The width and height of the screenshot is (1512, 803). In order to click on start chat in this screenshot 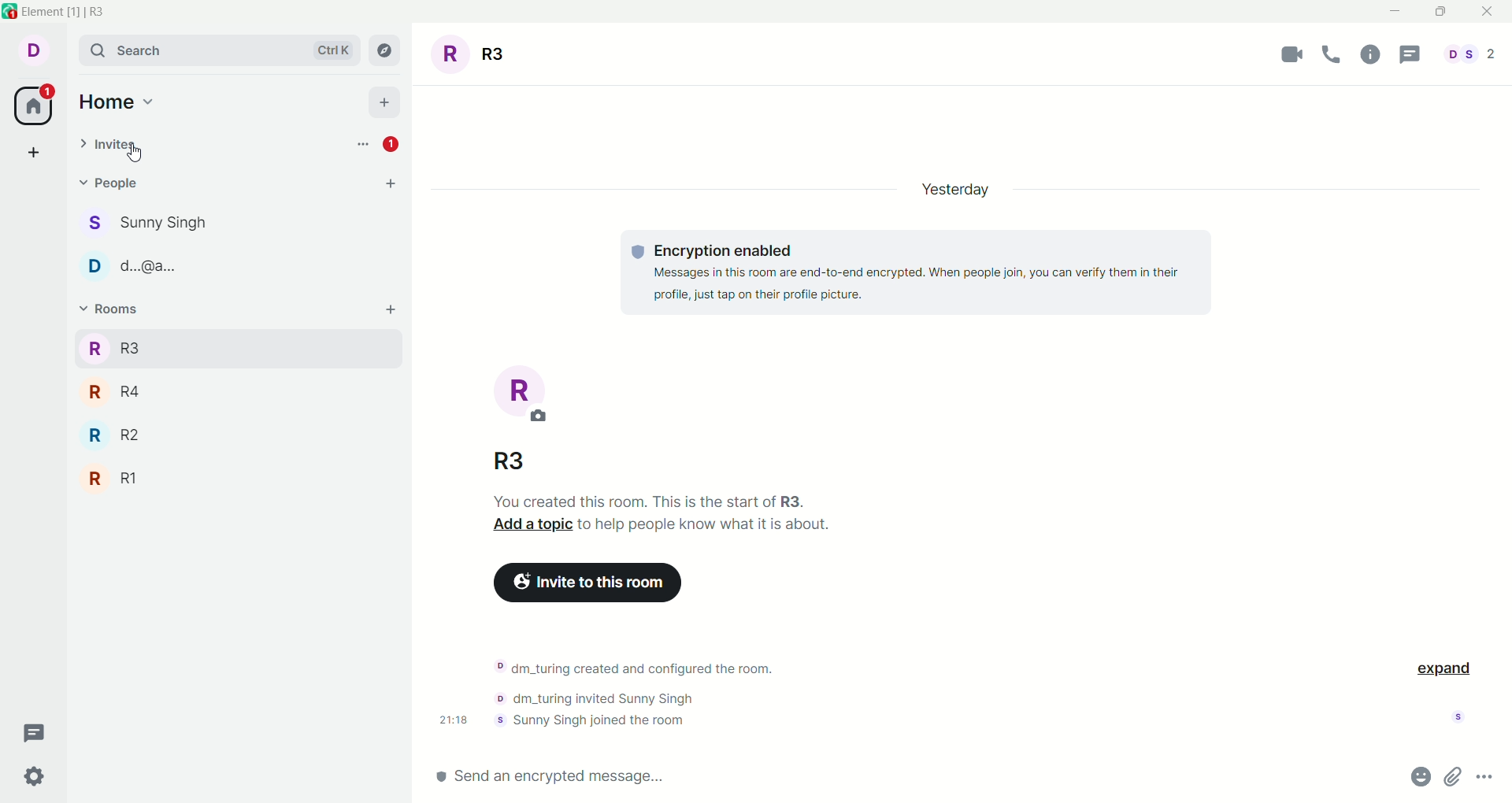, I will do `click(390, 183)`.